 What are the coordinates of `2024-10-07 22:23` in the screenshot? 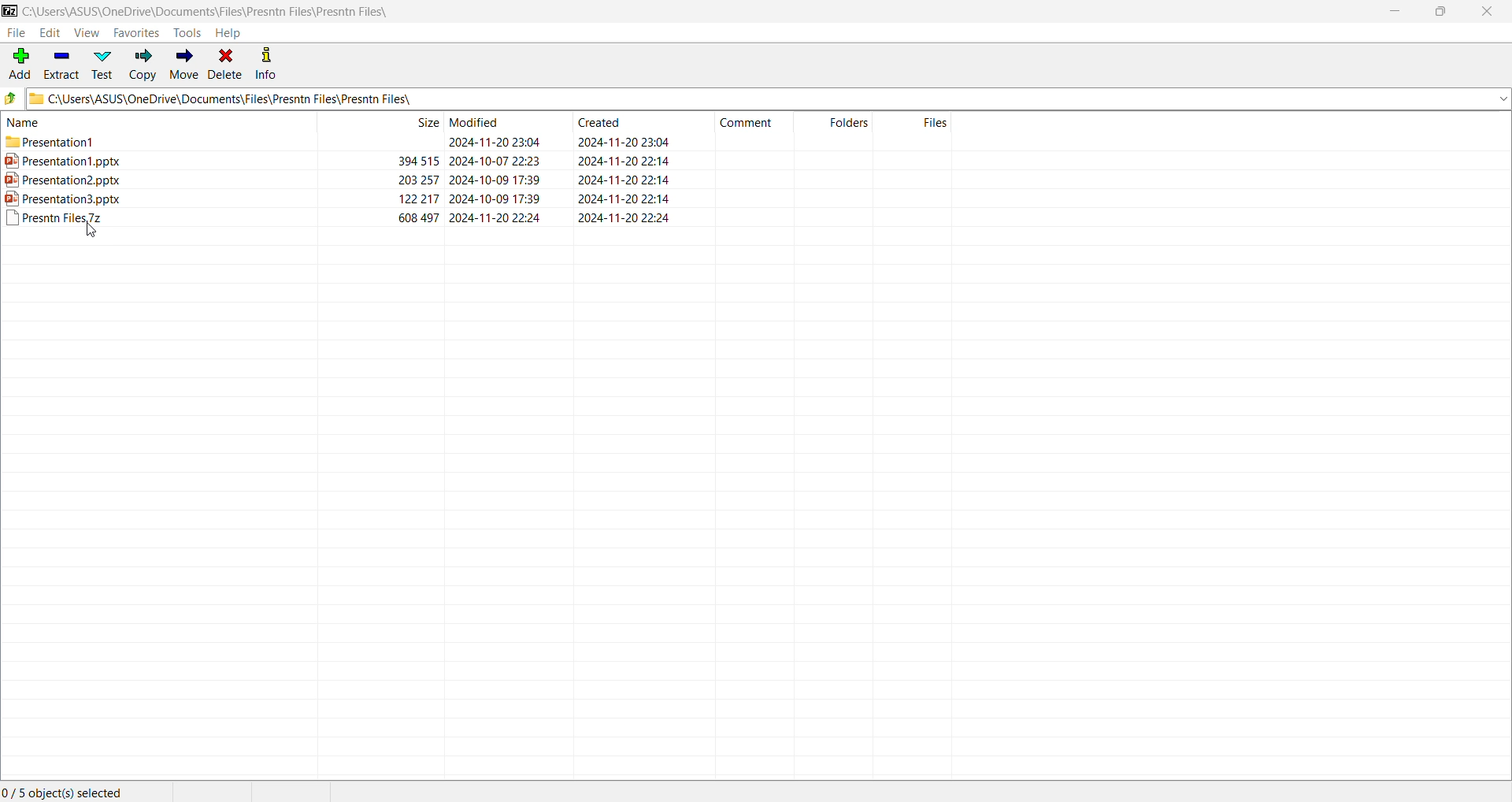 It's located at (497, 159).